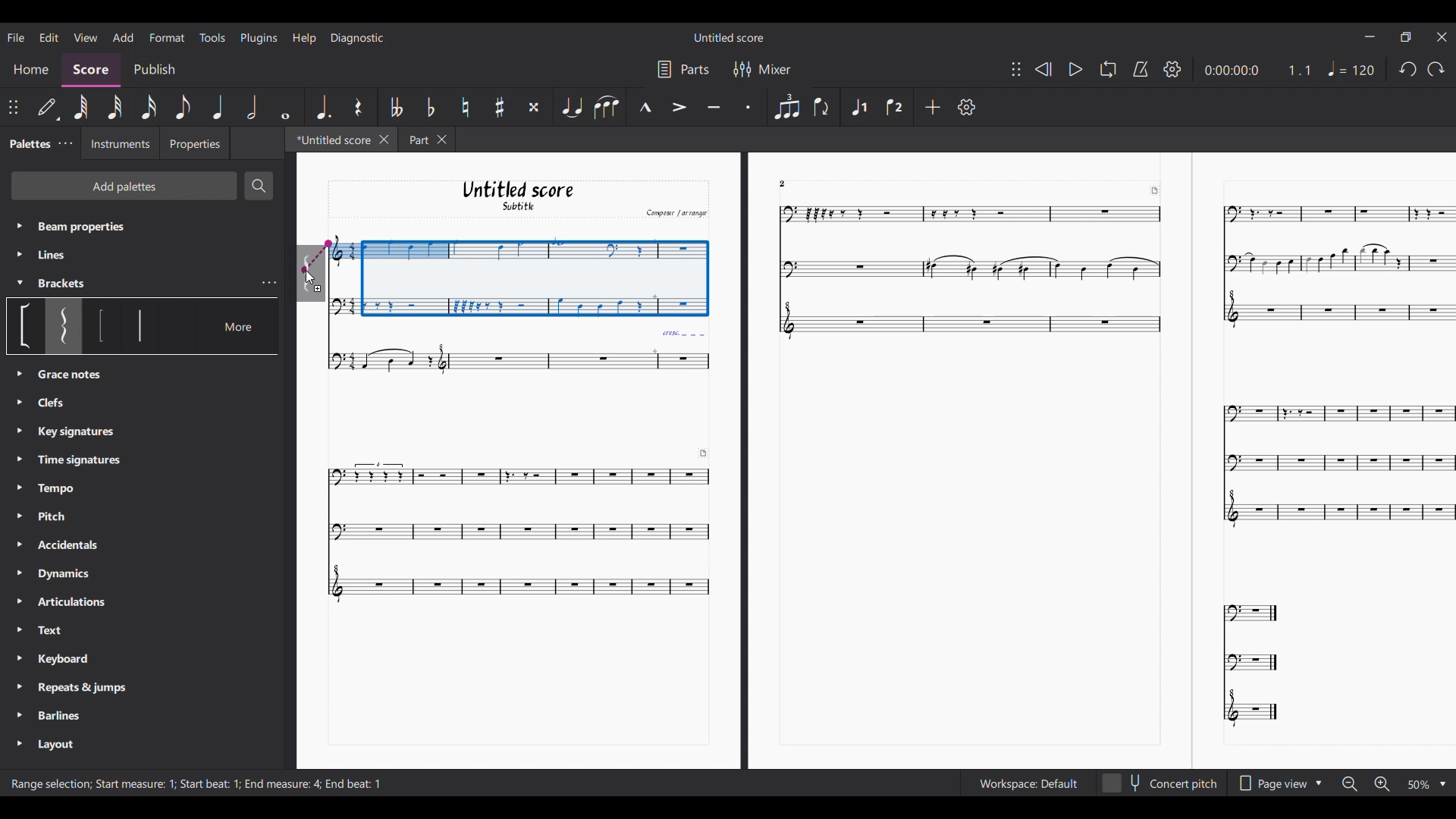 The height and width of the screenshot is (819, 1456). What do you see at coordinates (194, 143) in the screenshot?
I see `Properties` at bounding box center [194, 143].